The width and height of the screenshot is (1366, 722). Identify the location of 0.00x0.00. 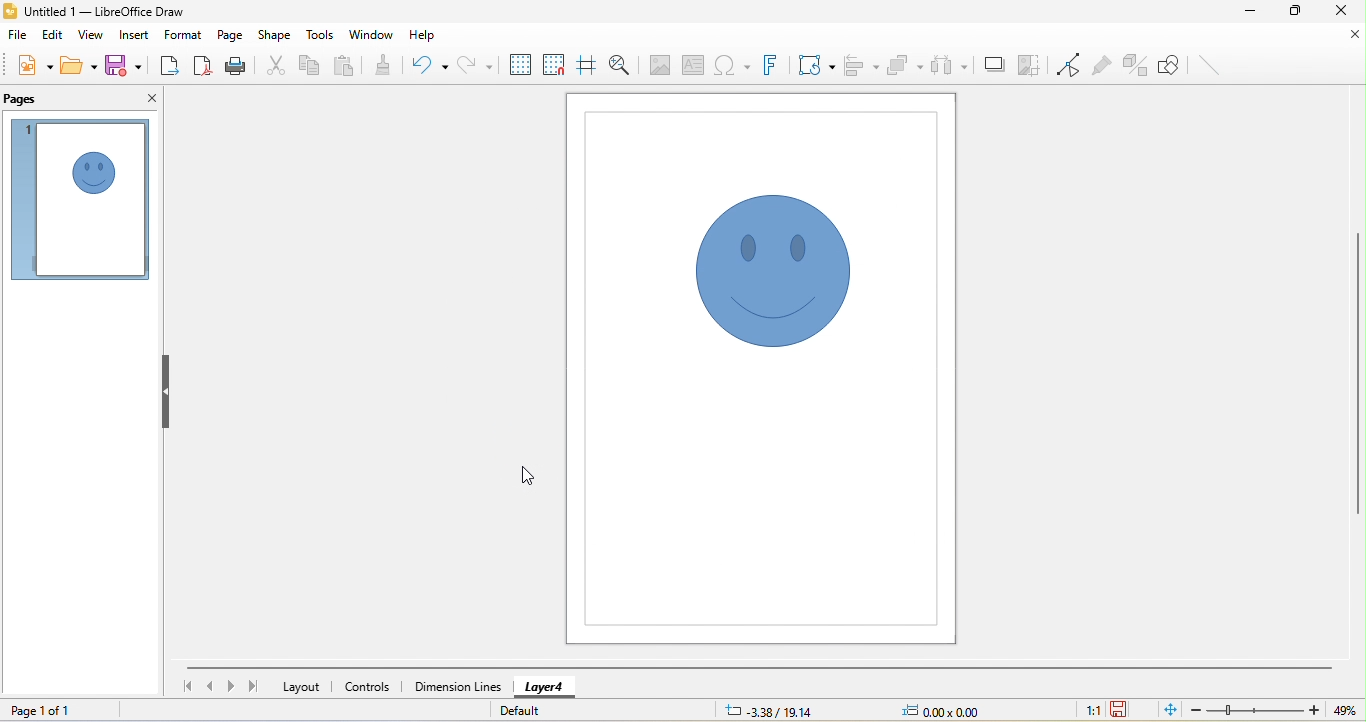
(950, 709).